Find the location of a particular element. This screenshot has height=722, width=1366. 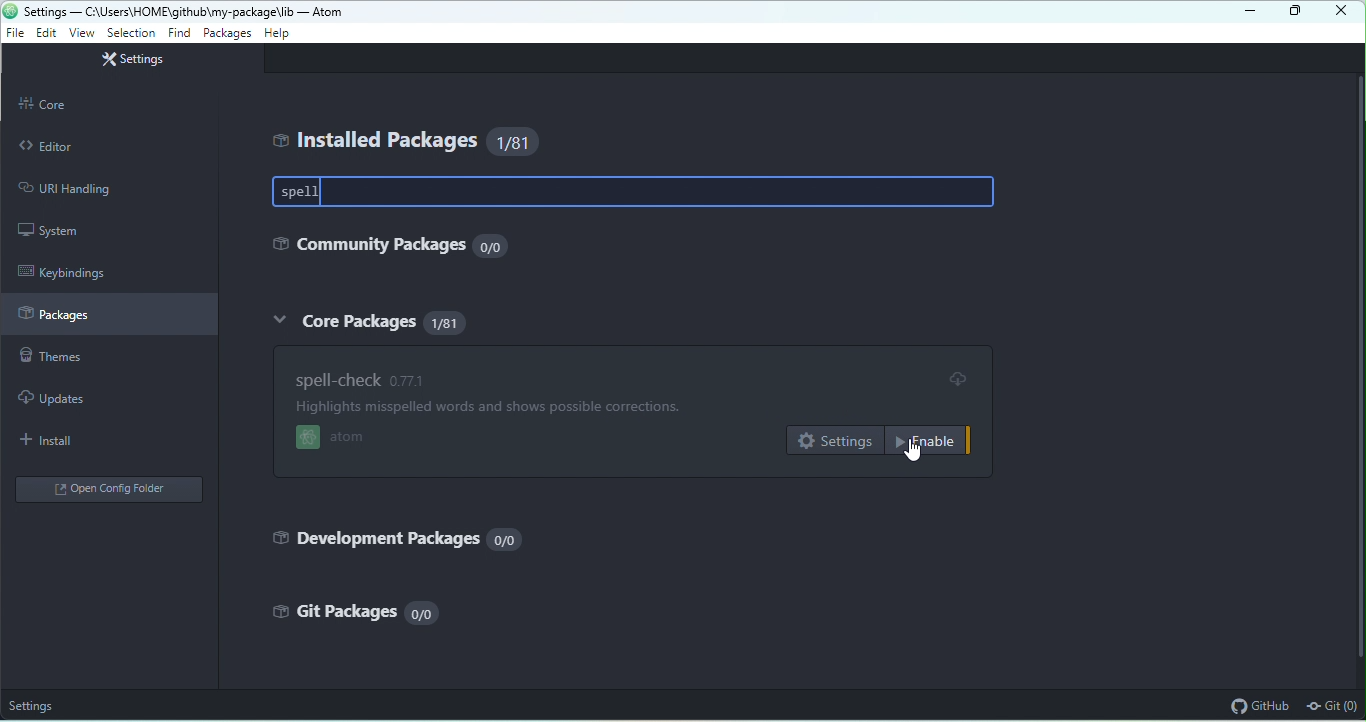

editor is located at coordinates (108, 147).